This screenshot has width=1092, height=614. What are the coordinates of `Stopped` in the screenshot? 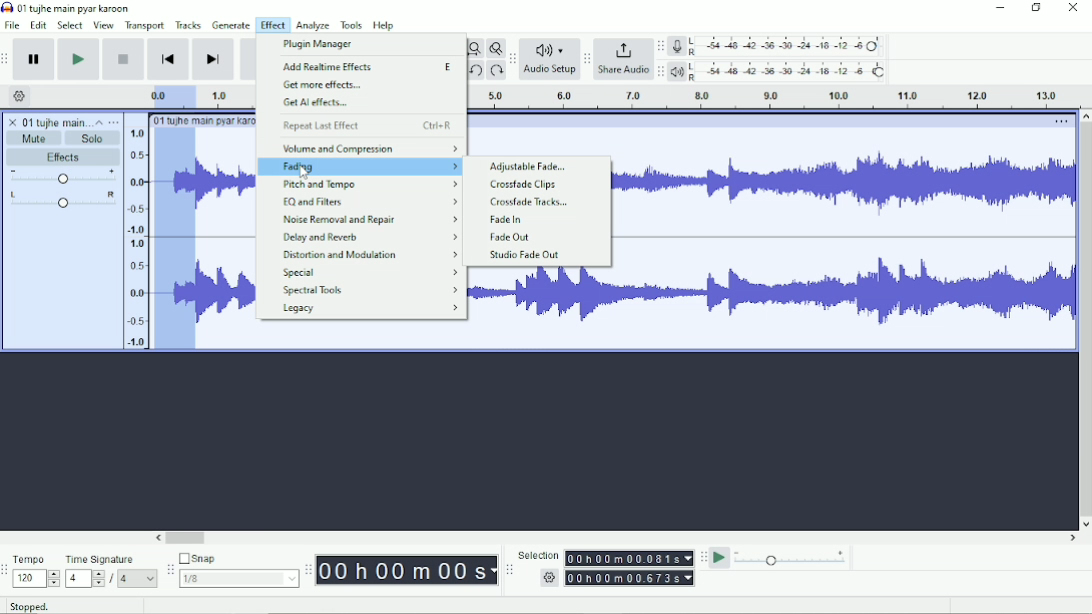 It's located at (43, 604).